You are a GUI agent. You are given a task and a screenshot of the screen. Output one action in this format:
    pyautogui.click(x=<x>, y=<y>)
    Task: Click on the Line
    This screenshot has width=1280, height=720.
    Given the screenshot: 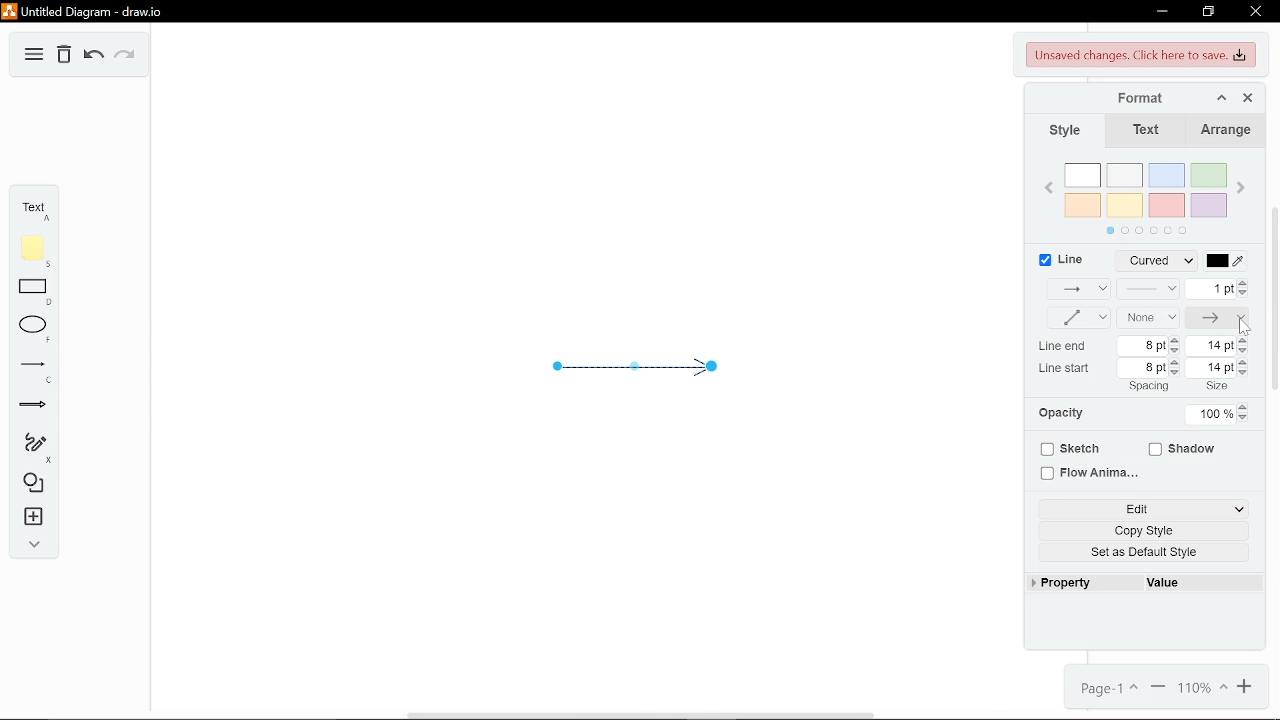 What is the action you would take?
    pyautogui.click(x=1063, y=260)
    